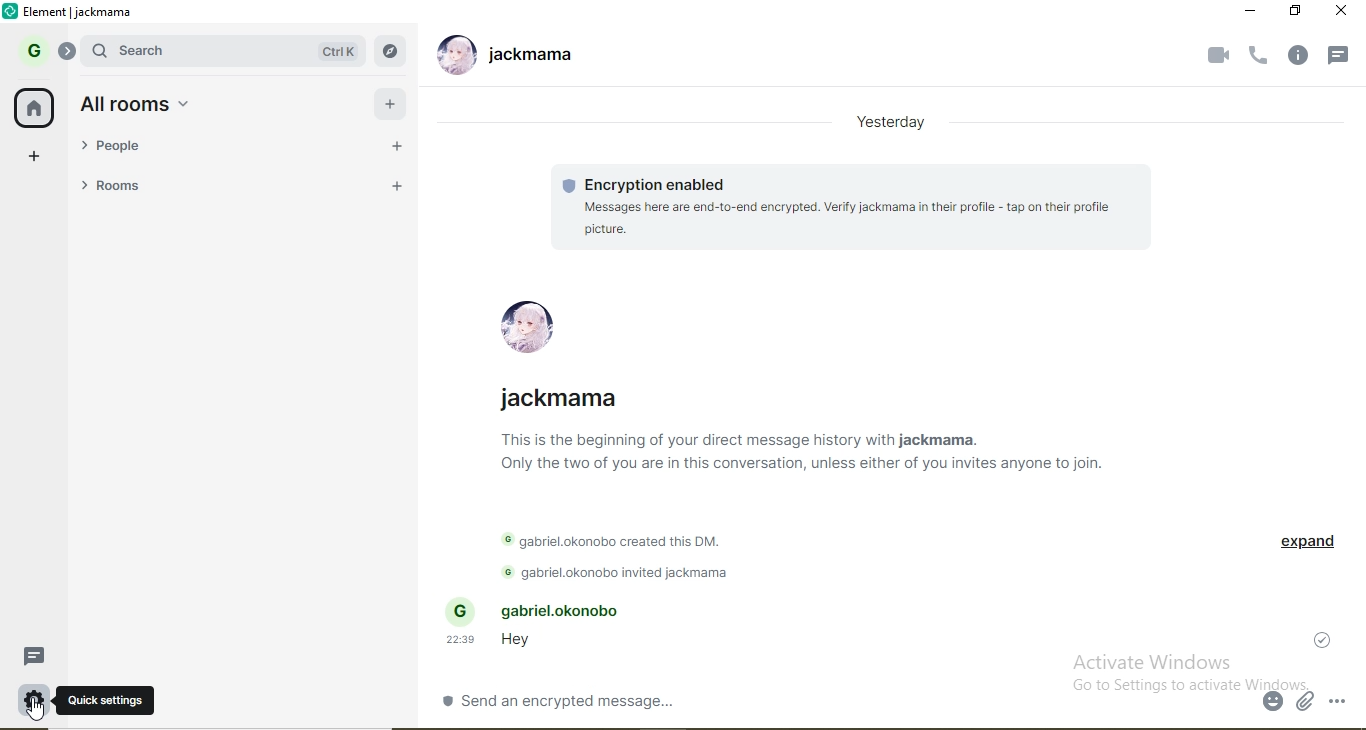 Image resolution: width=1366 pixels, height=730 pixels. What do you see at coordinates (848, 218) in the screenshot?
I see `Messages here are end-to-end encrypted. Verify jackmama in their profile - tap on their profile
picture.` at bounding box center [848, 218].